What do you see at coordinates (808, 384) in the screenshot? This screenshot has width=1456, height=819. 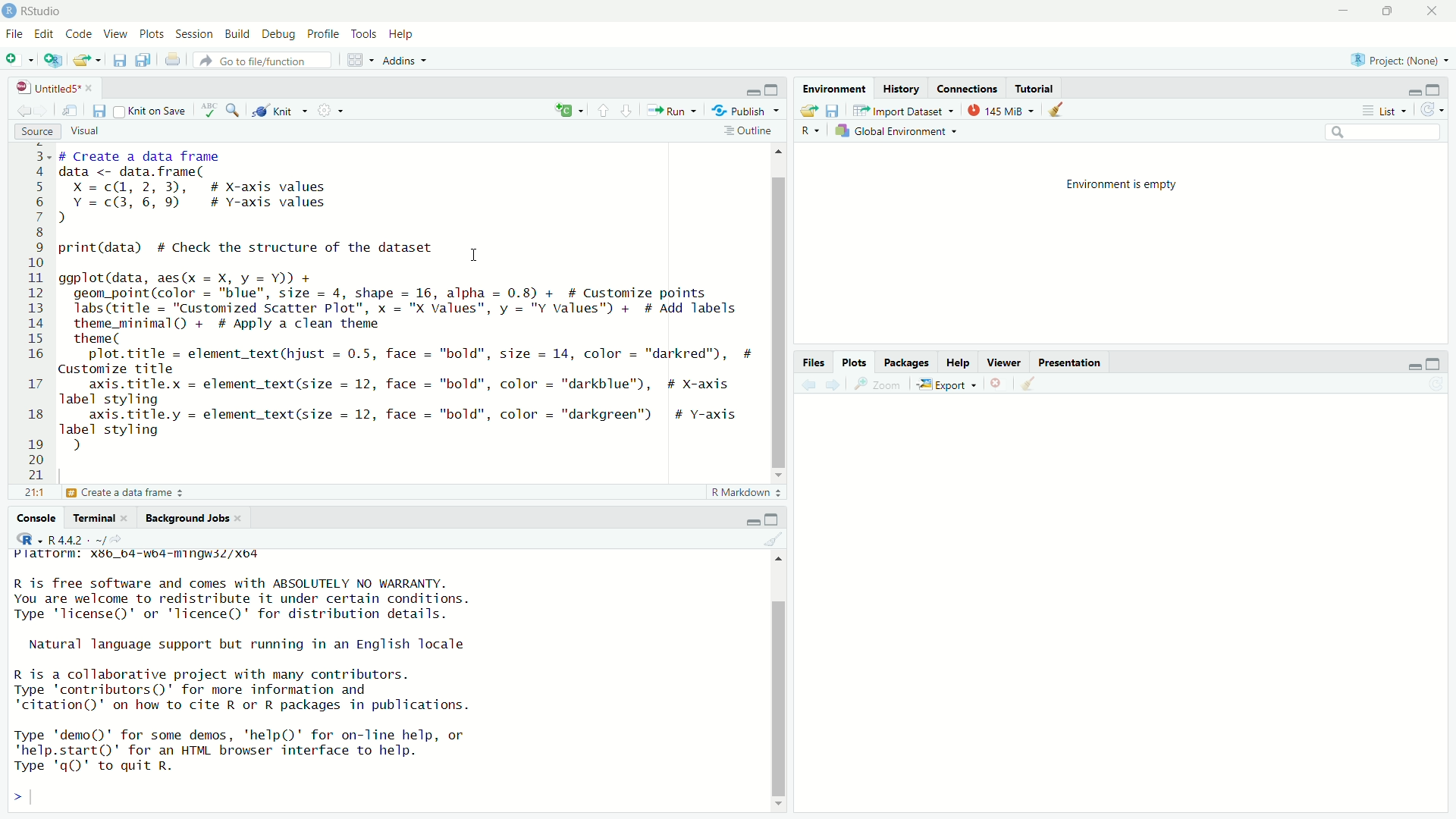 I see `Back ` at bounding box center [808, 384].